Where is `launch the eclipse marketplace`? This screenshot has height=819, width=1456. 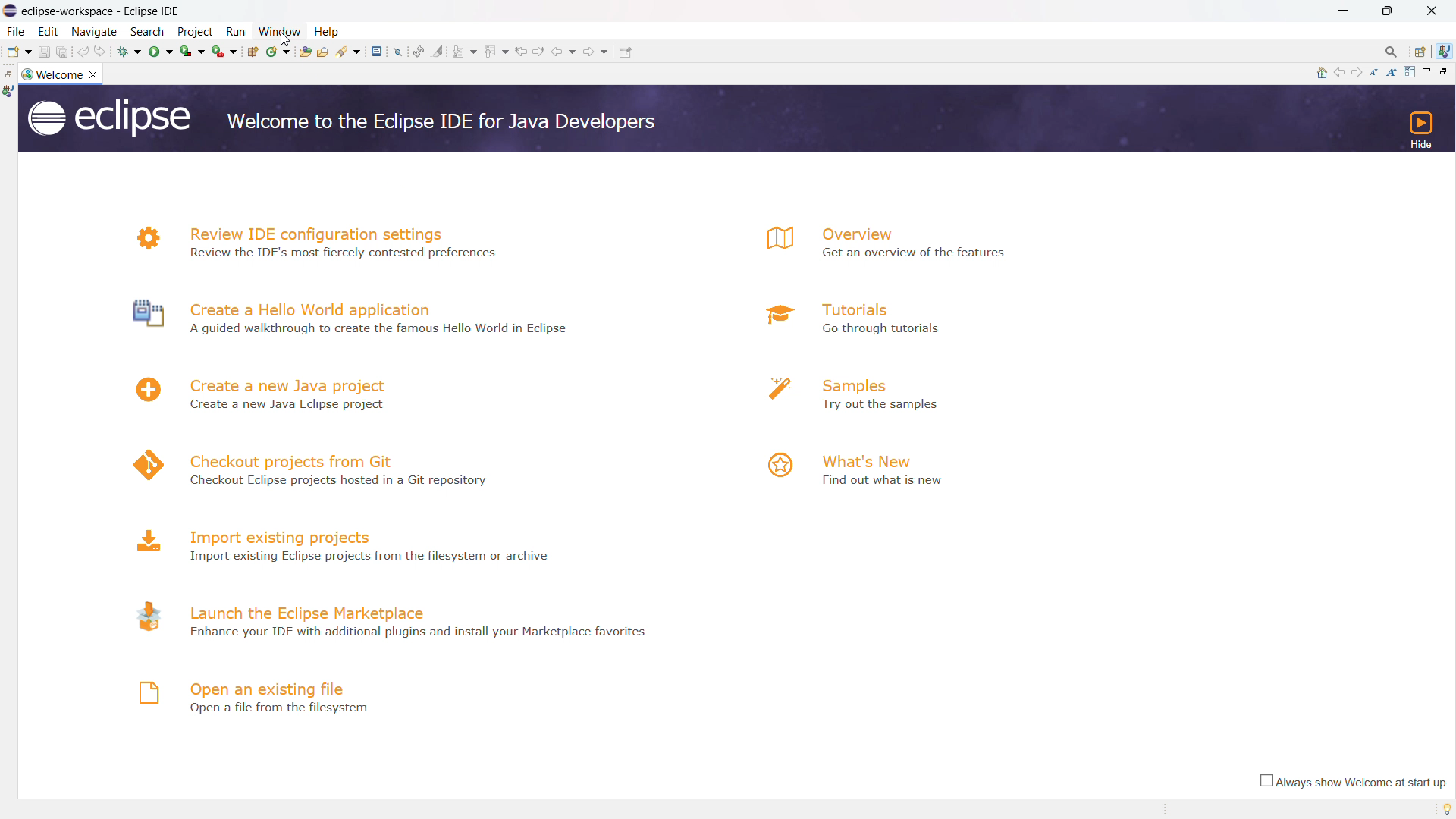 launch the eclipse marketplace is located at coordinates (308, 610).